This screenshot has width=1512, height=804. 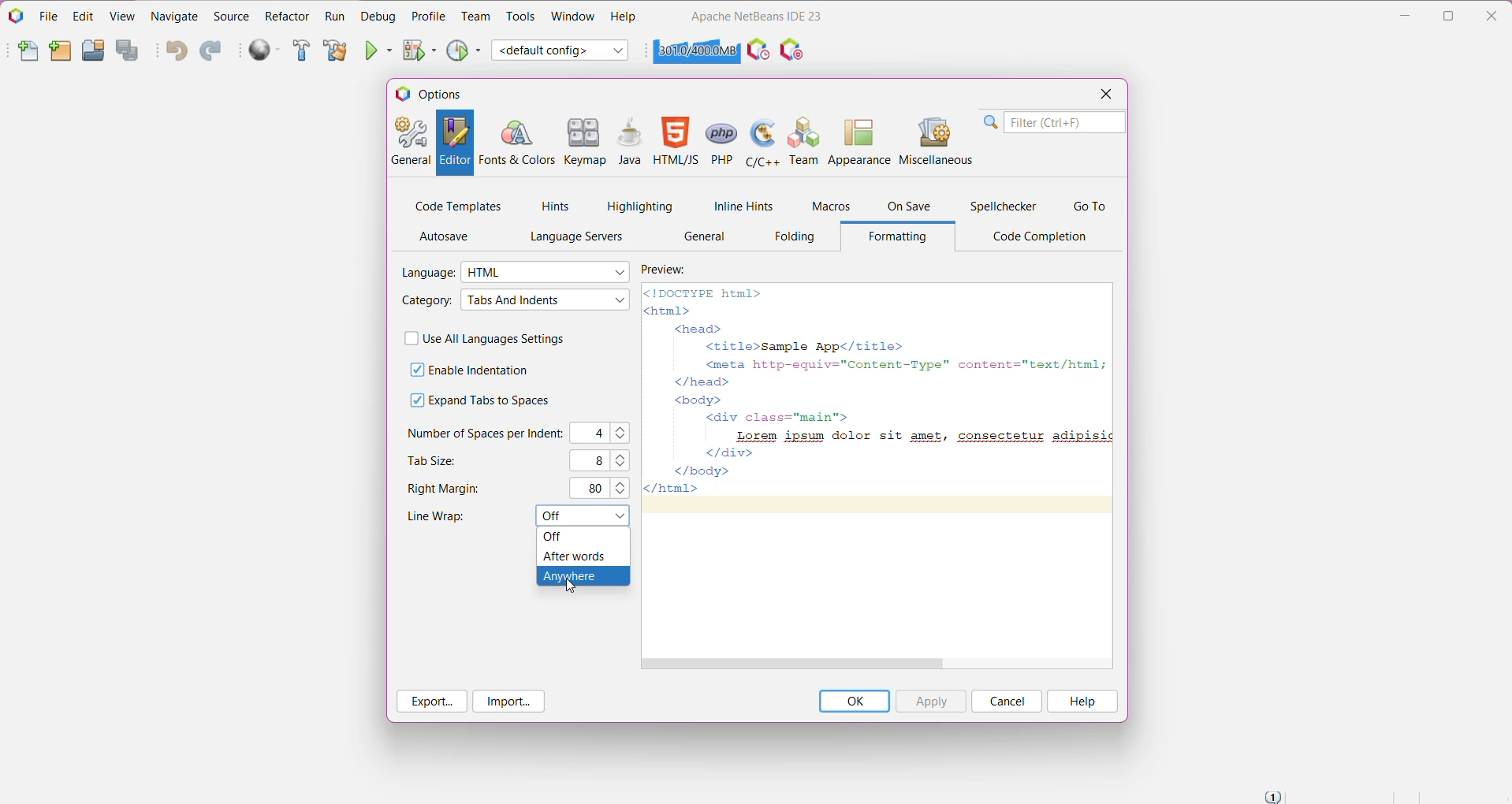 What do you see at coordinates (434, 460) in the screenshot?
I see `Tab Size` at bounding box center [434, 460].